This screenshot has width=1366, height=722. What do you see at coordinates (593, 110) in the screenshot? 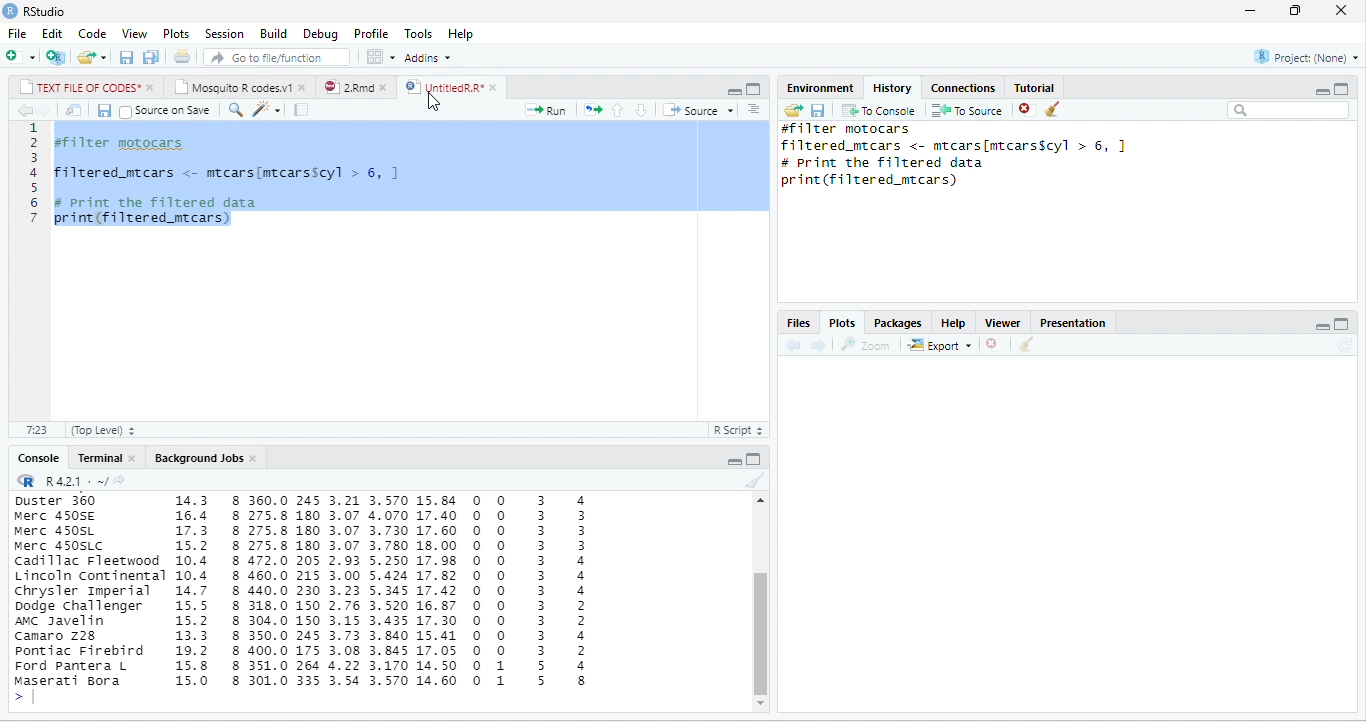
I see `rerun` at bounding box center [593, 110].